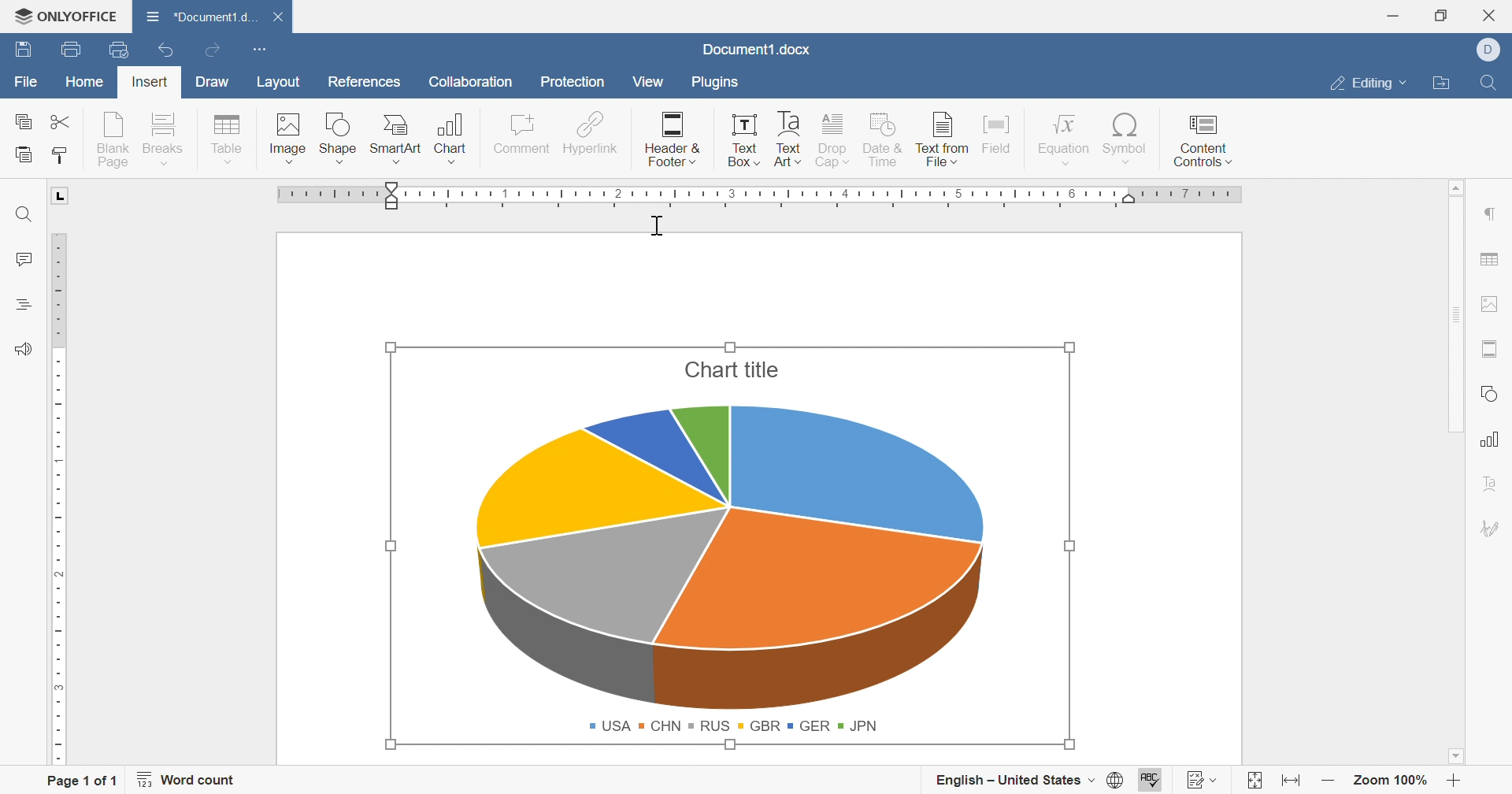  What do you see at coordinates (69, 48) in the screenshot?
I see `Print file` at bounding box center [69, 48].